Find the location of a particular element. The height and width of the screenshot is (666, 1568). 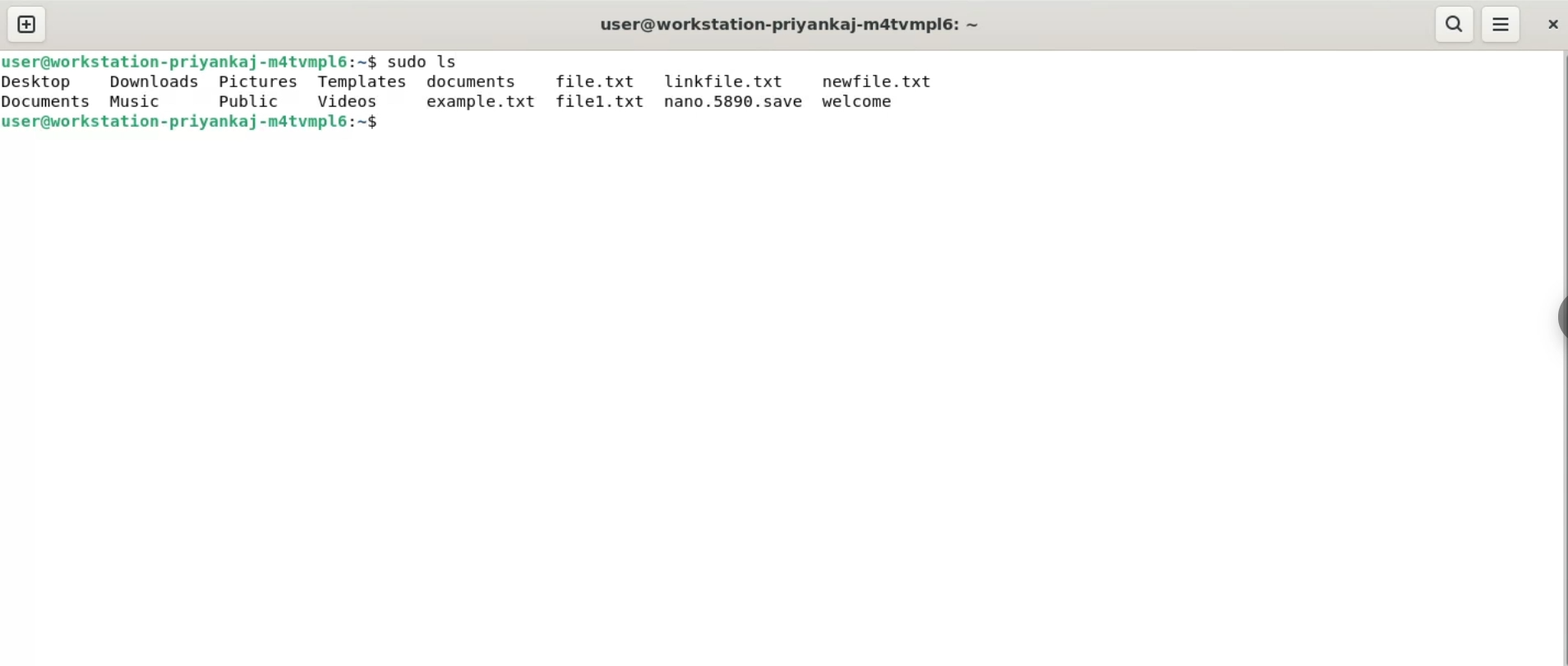

welcome is located at coordinates (859, 101).